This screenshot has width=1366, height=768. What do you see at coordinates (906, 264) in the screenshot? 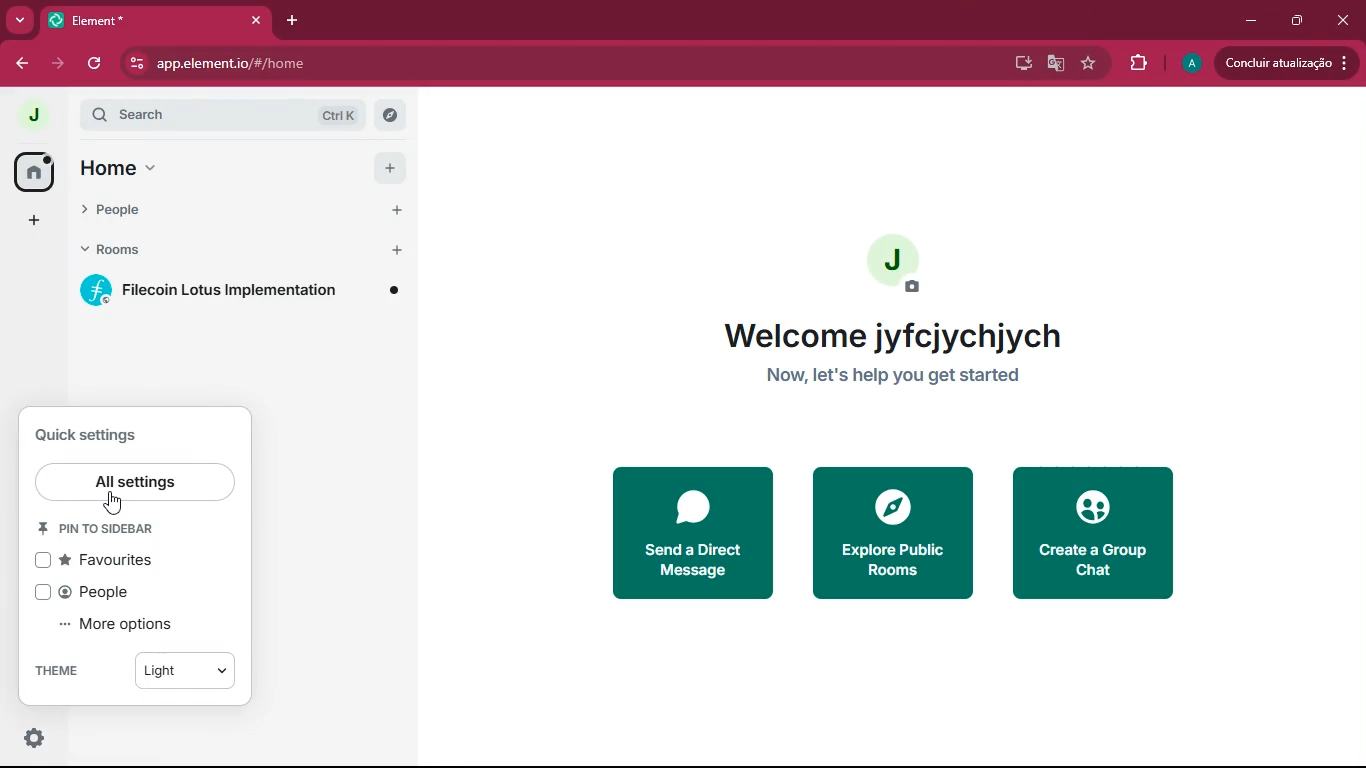
I see `profile picture` at bounding box center [906, 264].